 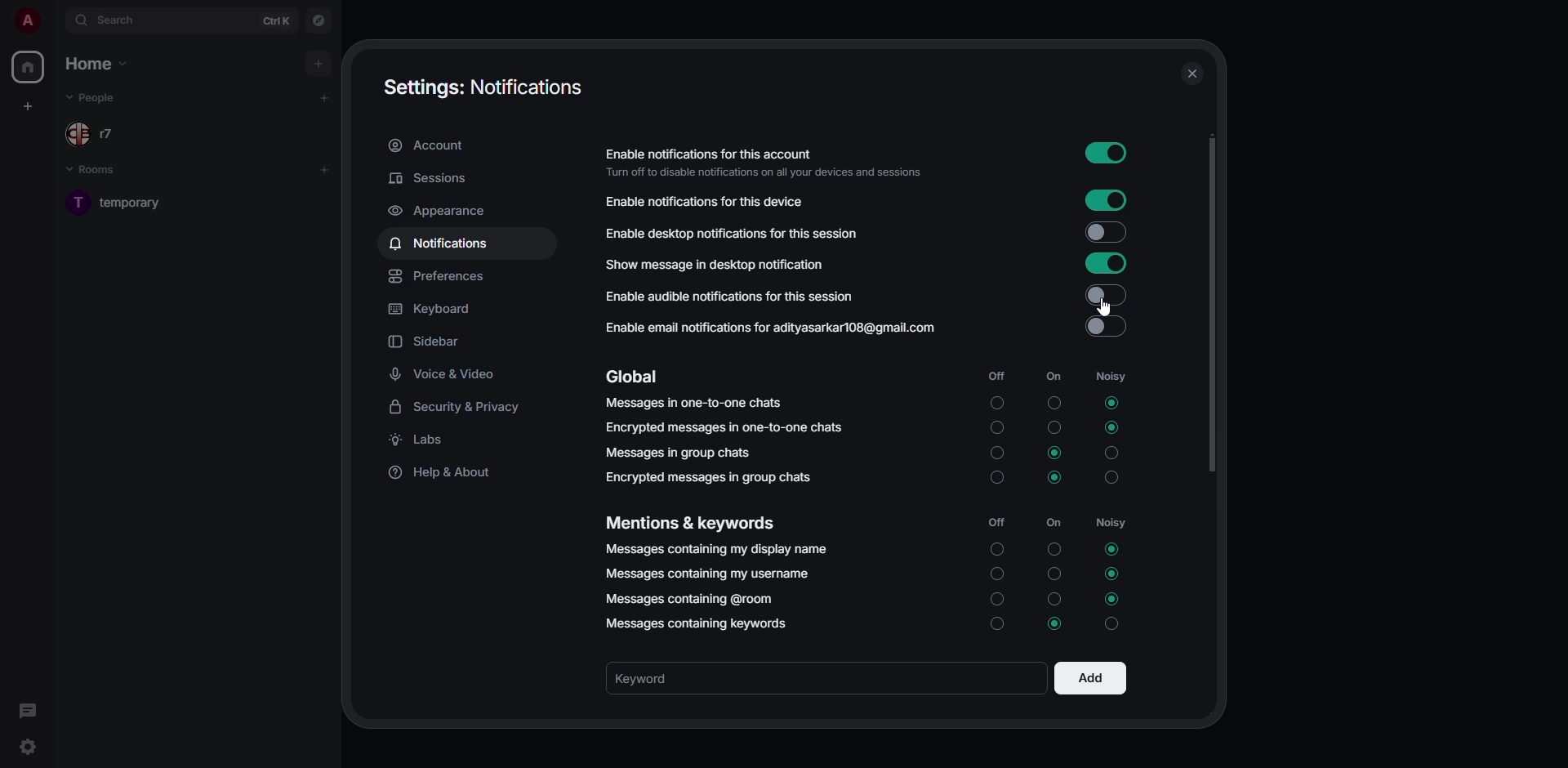 I want to click on add, so click(x=317, y=64).